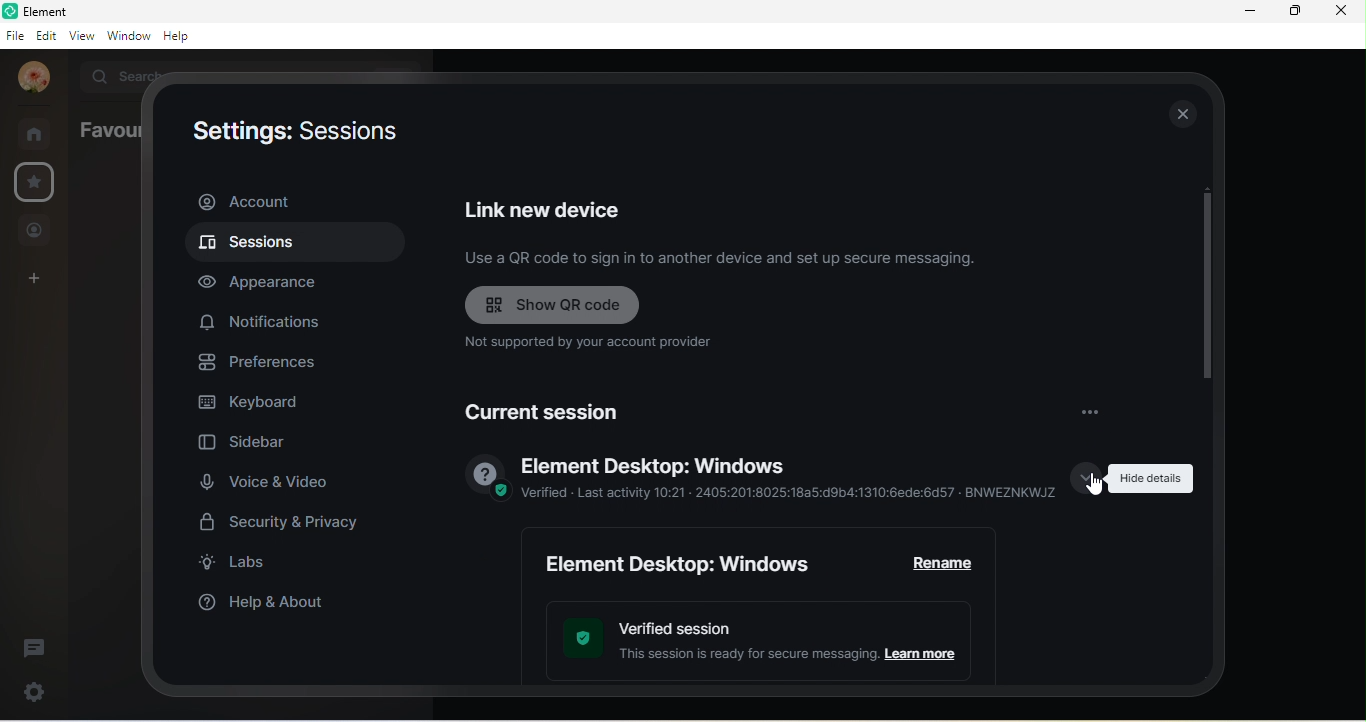 This screenshot has width=1366, height=722. I want to click on use a qr code to sign in to another device and set up secure messaging, so click(727, 260).